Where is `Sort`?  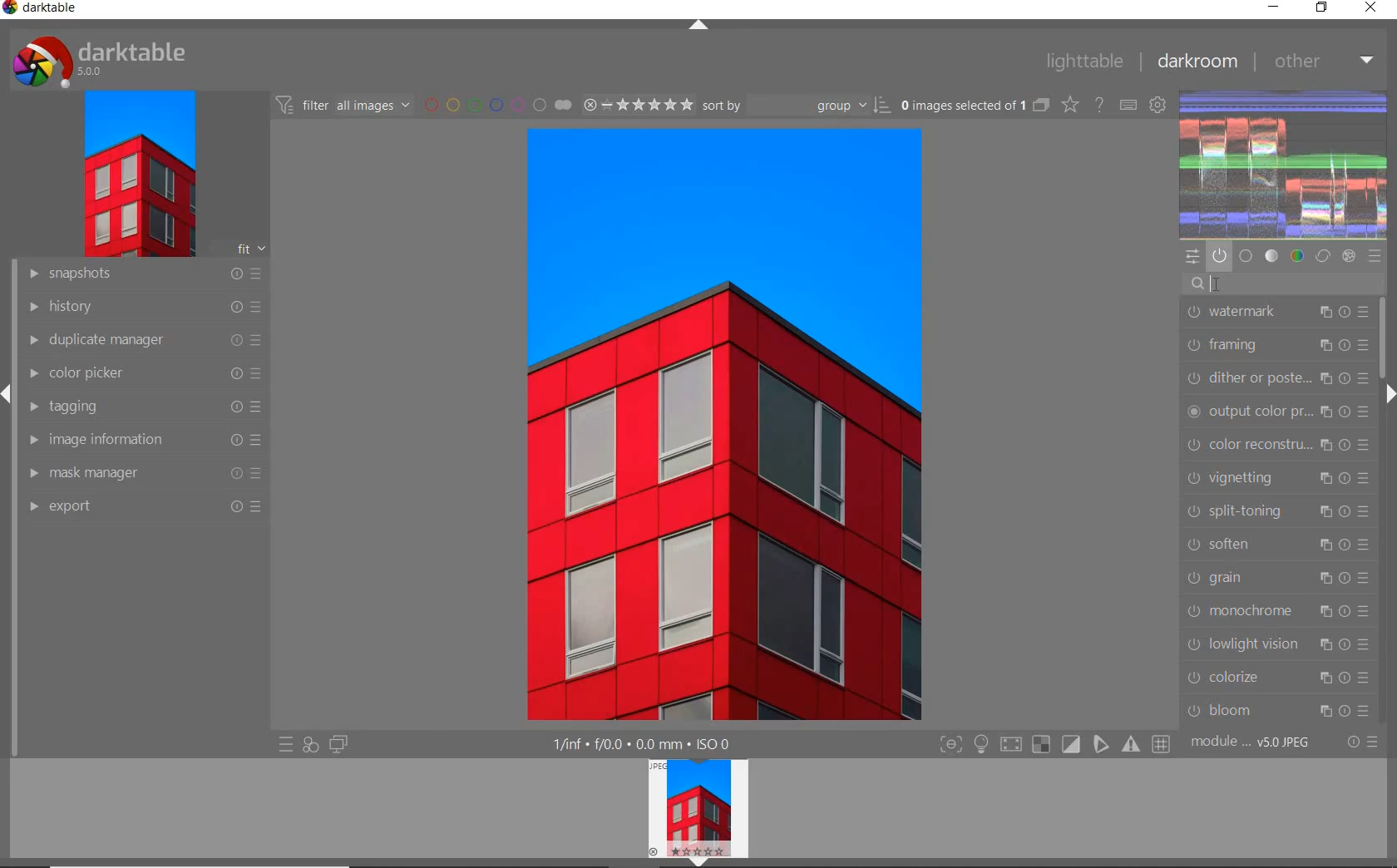
Sort is located at coordinates (797, 106).